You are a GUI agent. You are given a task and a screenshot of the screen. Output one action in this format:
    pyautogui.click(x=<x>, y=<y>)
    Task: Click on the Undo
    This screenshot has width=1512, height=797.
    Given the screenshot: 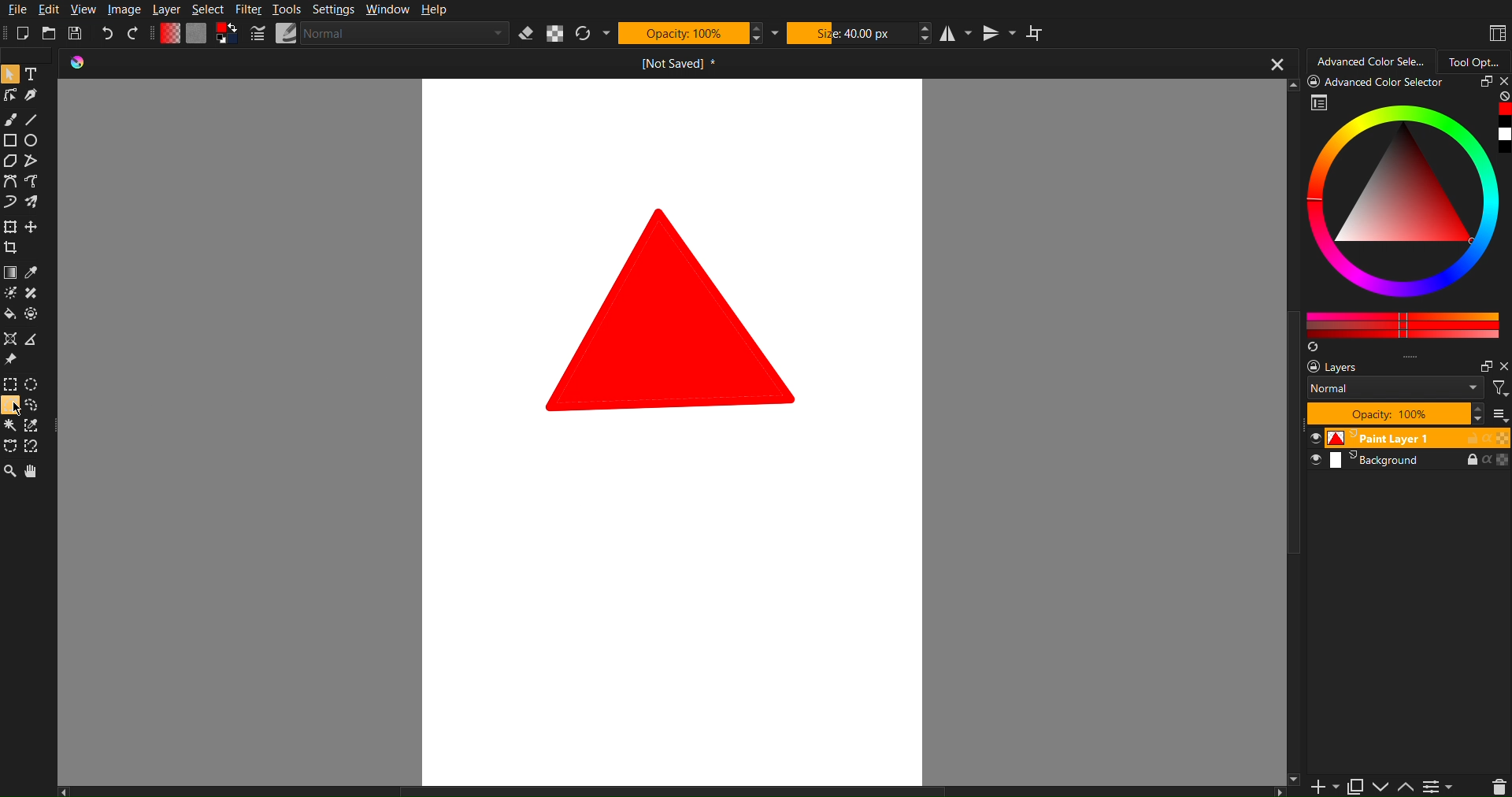 What is the action you would take?
    pyautogui.click(x=109, y=33)
    